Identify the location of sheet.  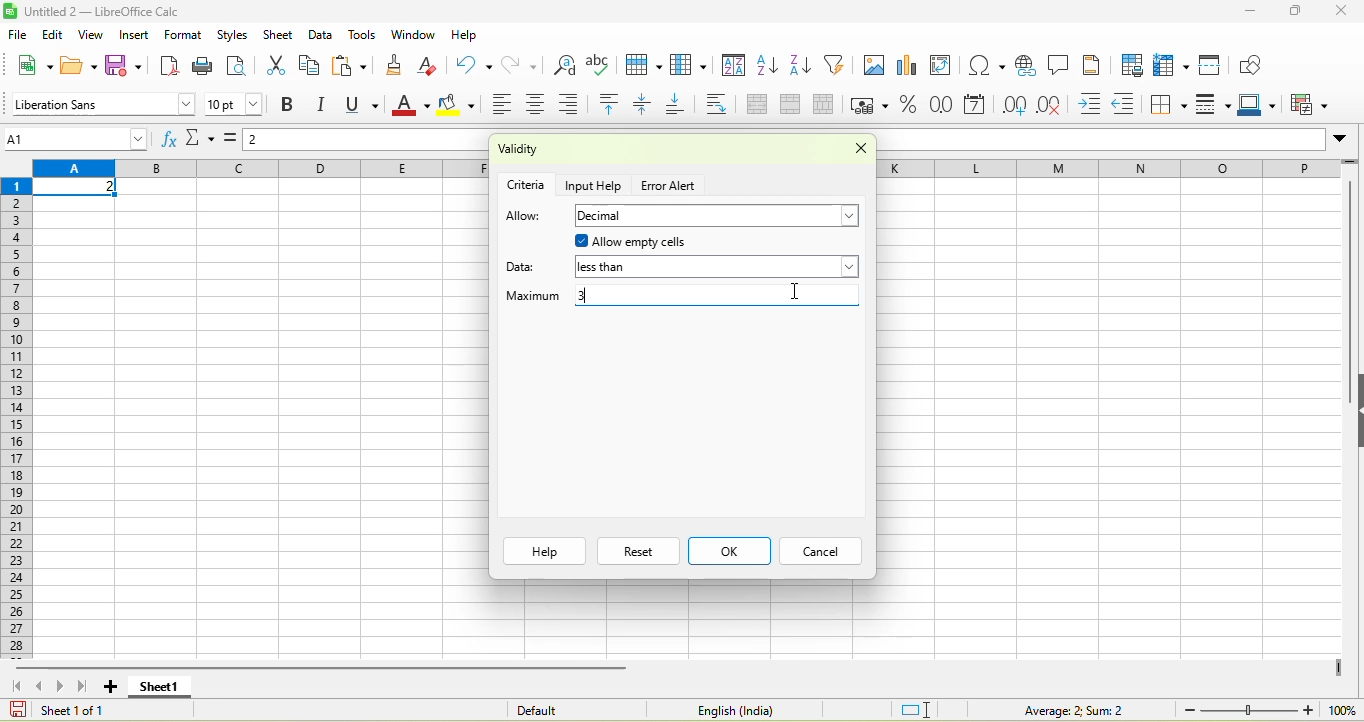
(278, 35).